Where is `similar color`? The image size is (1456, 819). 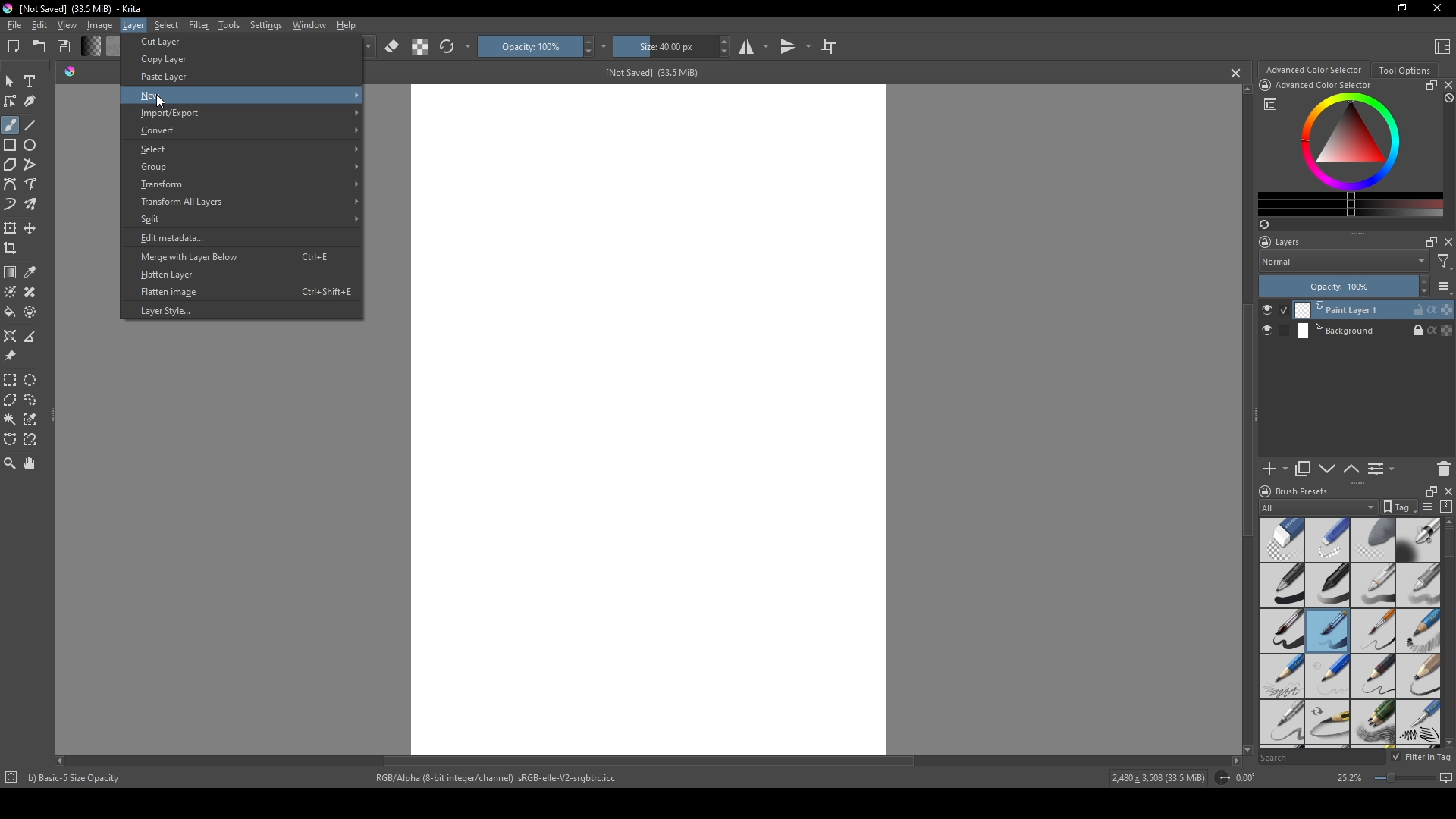 similar color is located at coordinates (33, 419).